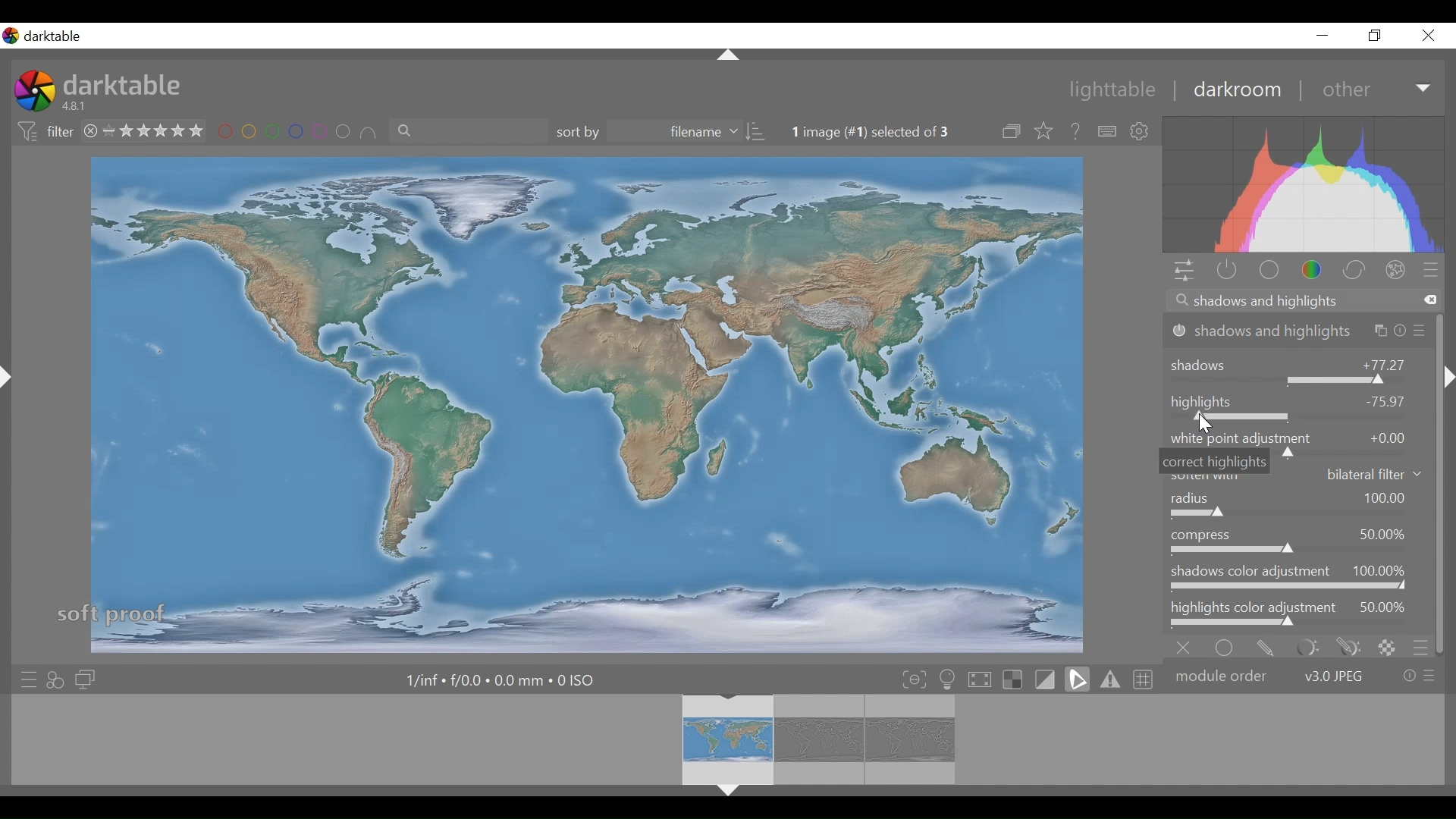  Describe the element at coordinates (1421, 646) in the screenshot. I see `blending options` at that location.